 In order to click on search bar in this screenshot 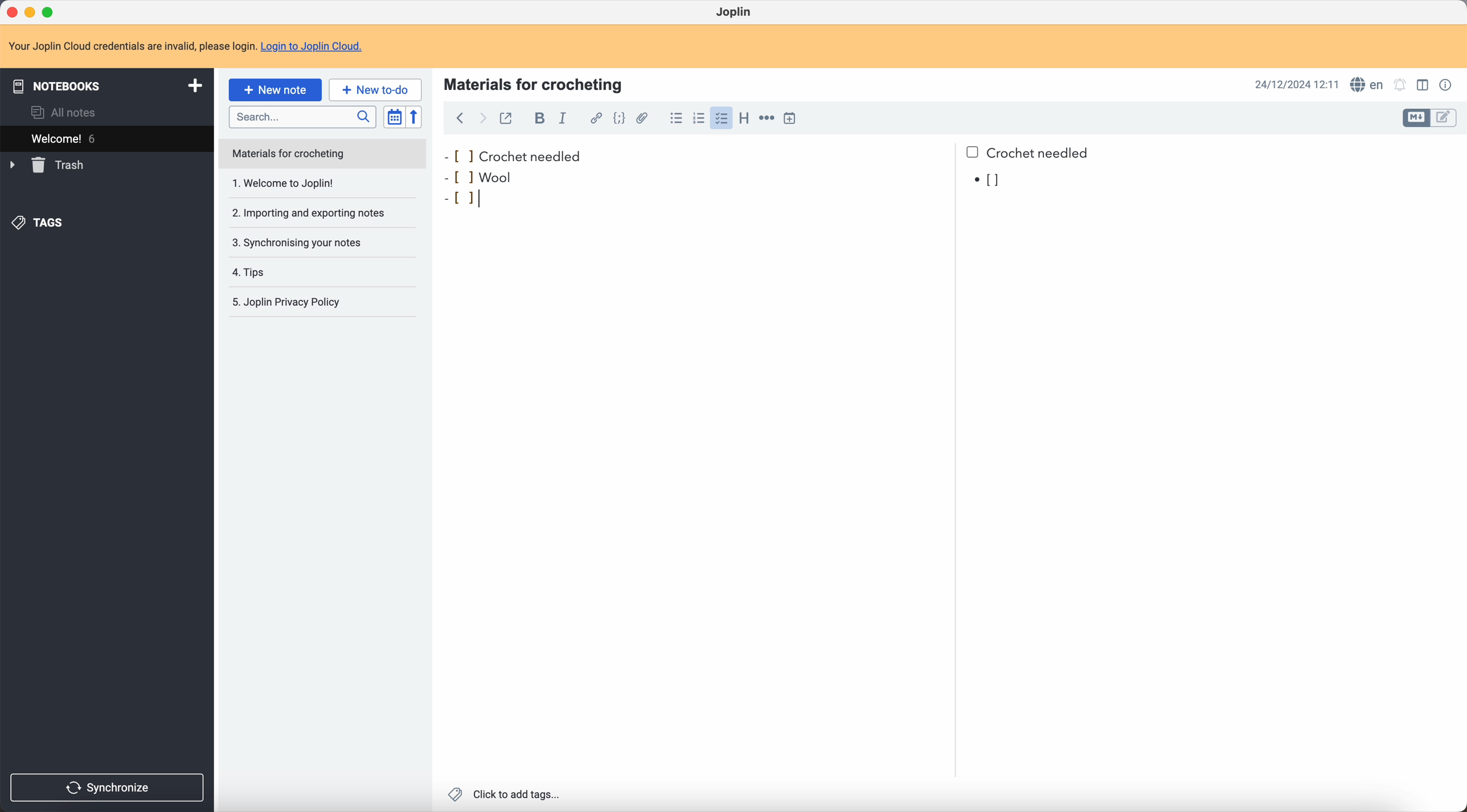, I will do `click(302, 116)`.